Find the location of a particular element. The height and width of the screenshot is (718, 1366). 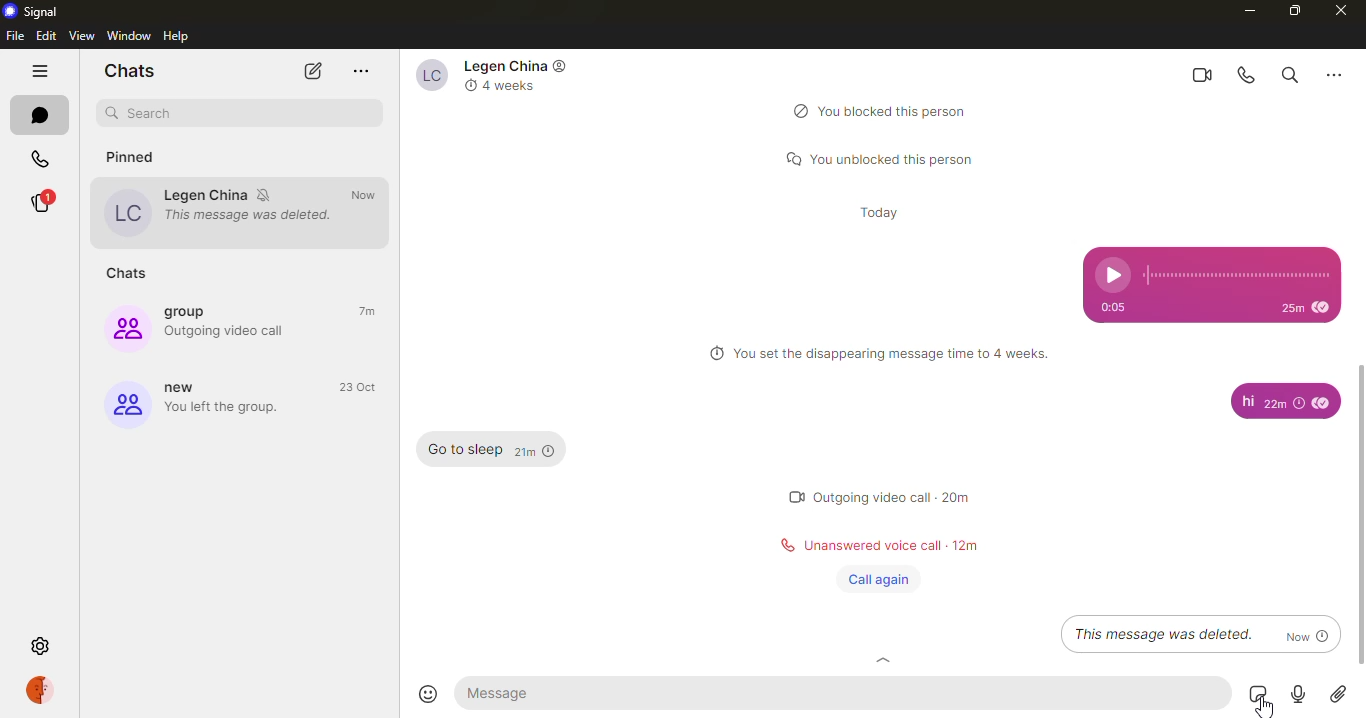

time is located at coordinates (535, 452).